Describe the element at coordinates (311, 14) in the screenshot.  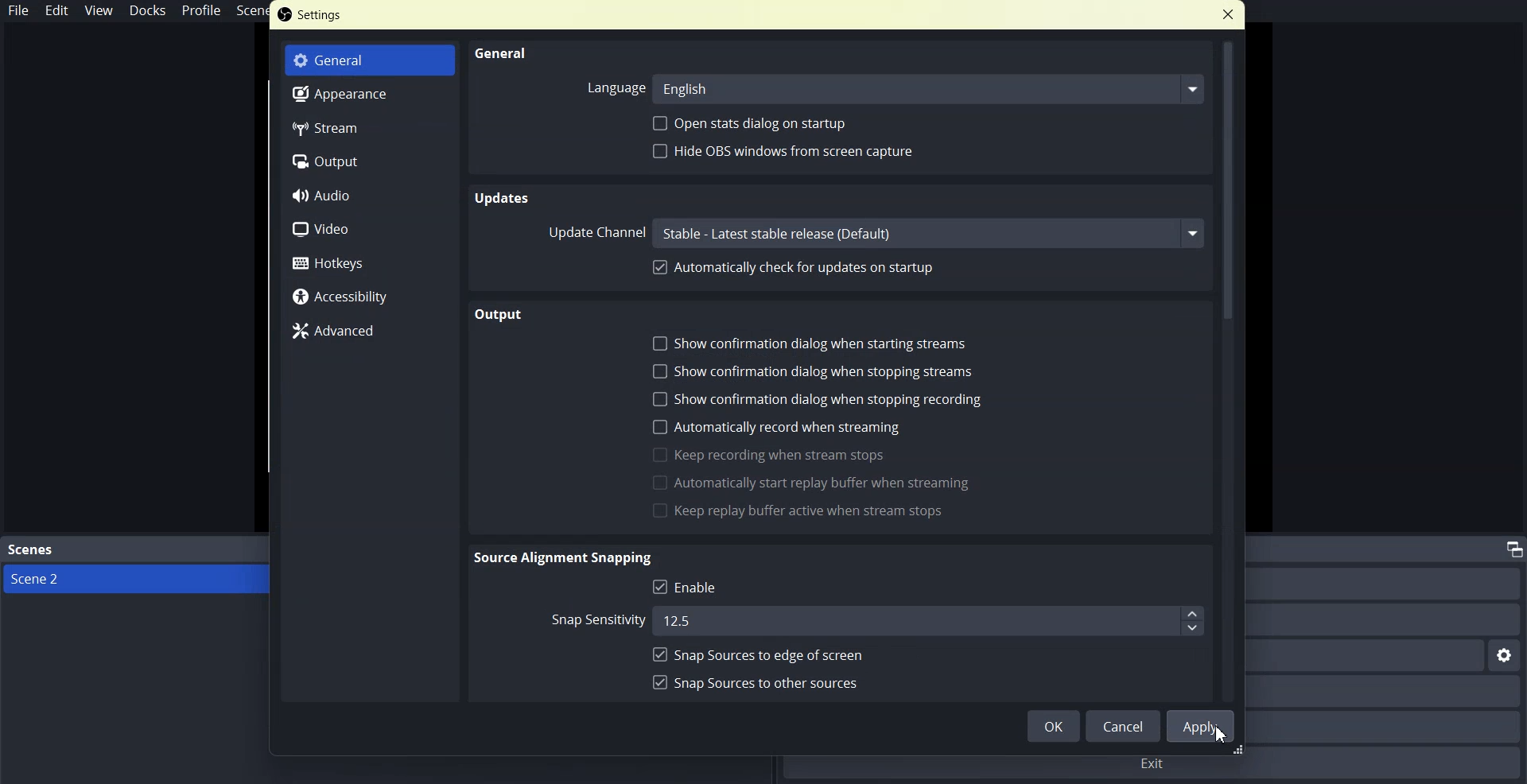
I see `Settings` at that location.